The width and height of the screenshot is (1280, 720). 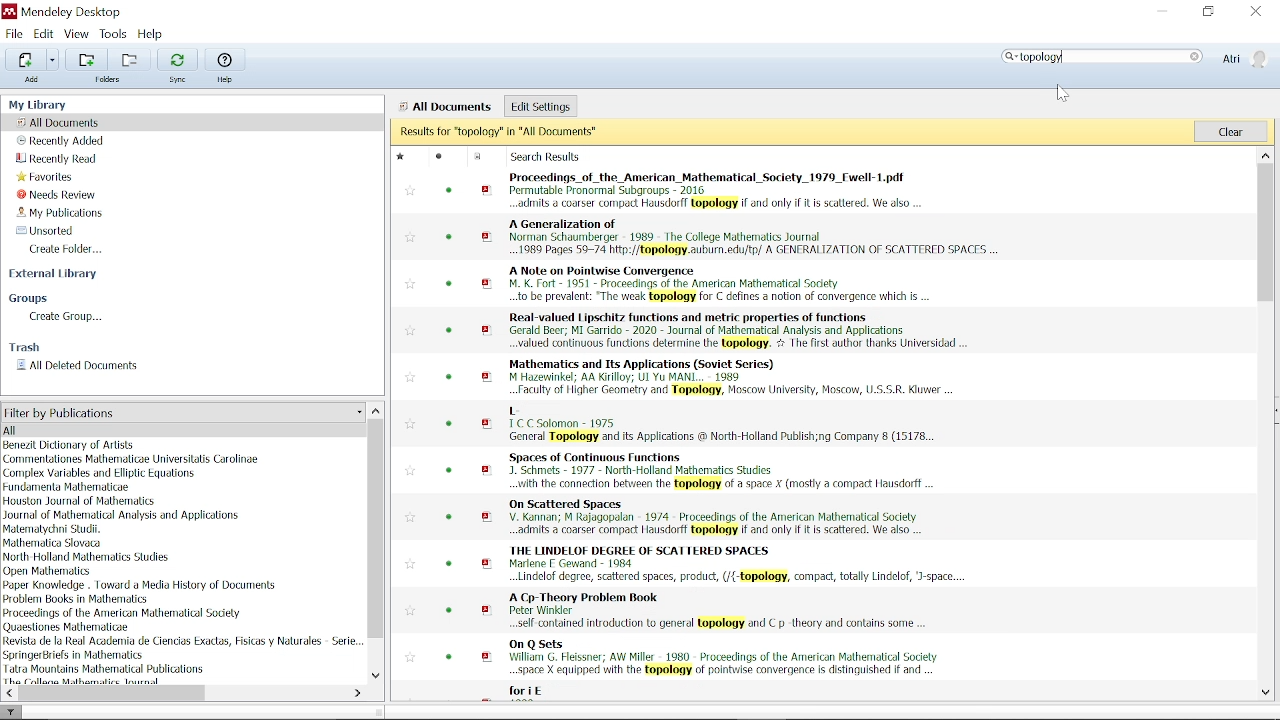 I want to click on citation, so click(x=722, y=424).